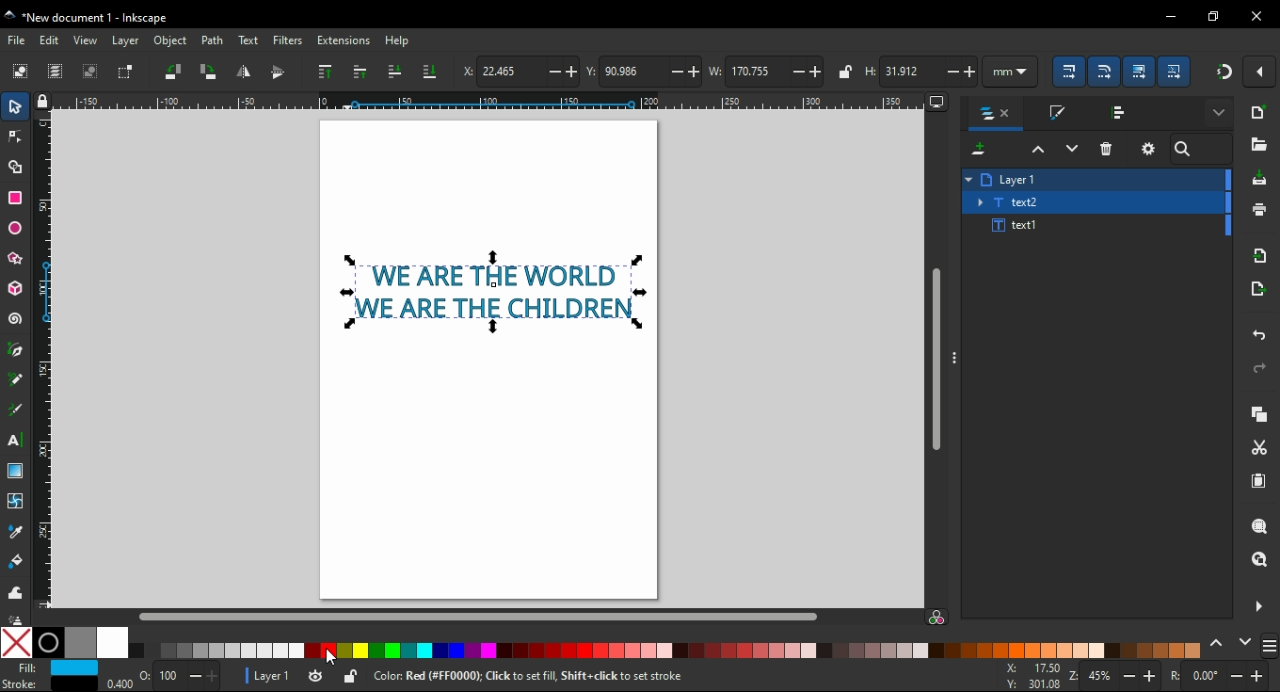  I want to click on edit, so click(52, 41).